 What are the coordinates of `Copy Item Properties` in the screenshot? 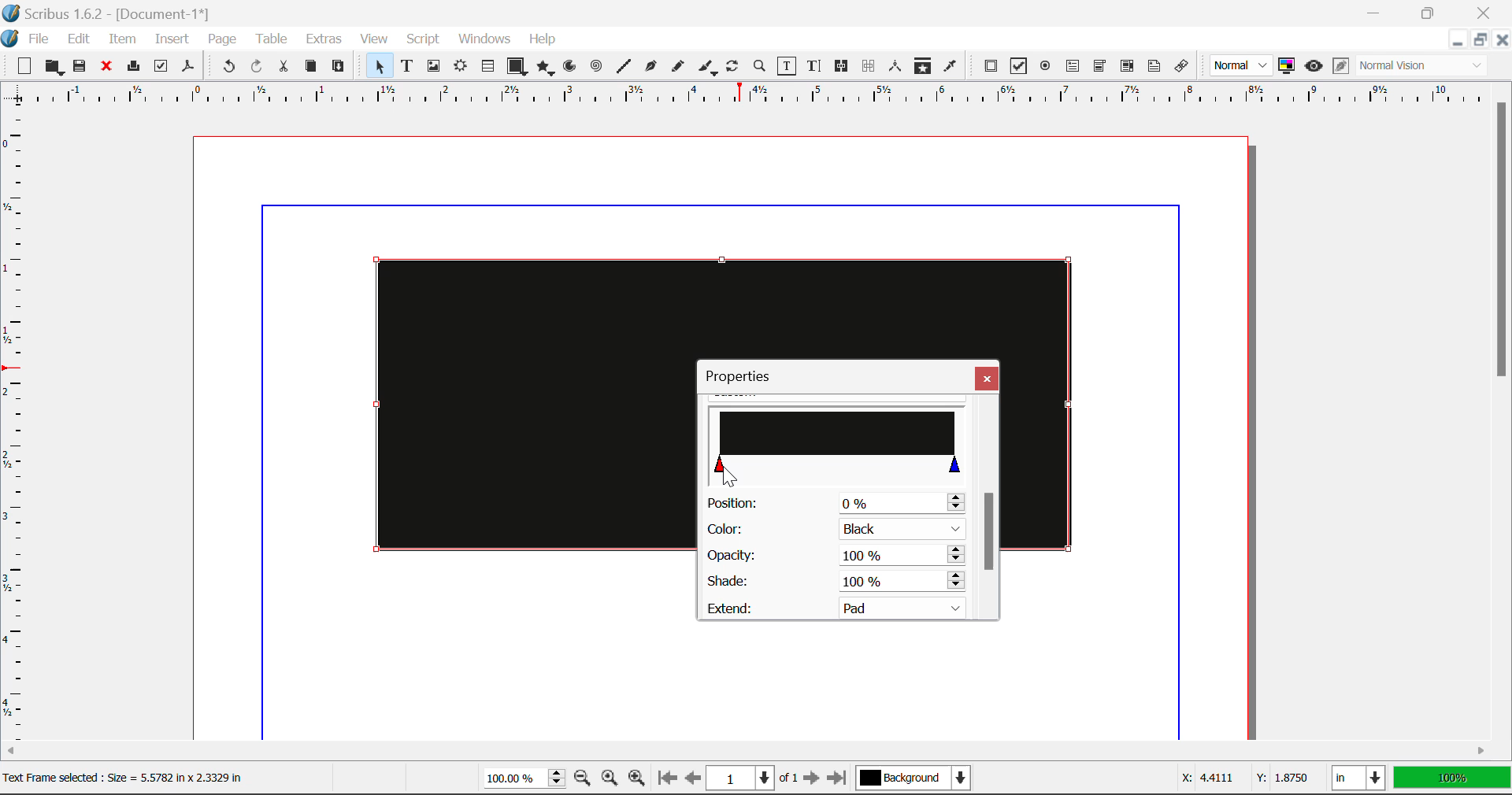 It's located at (922, 68).